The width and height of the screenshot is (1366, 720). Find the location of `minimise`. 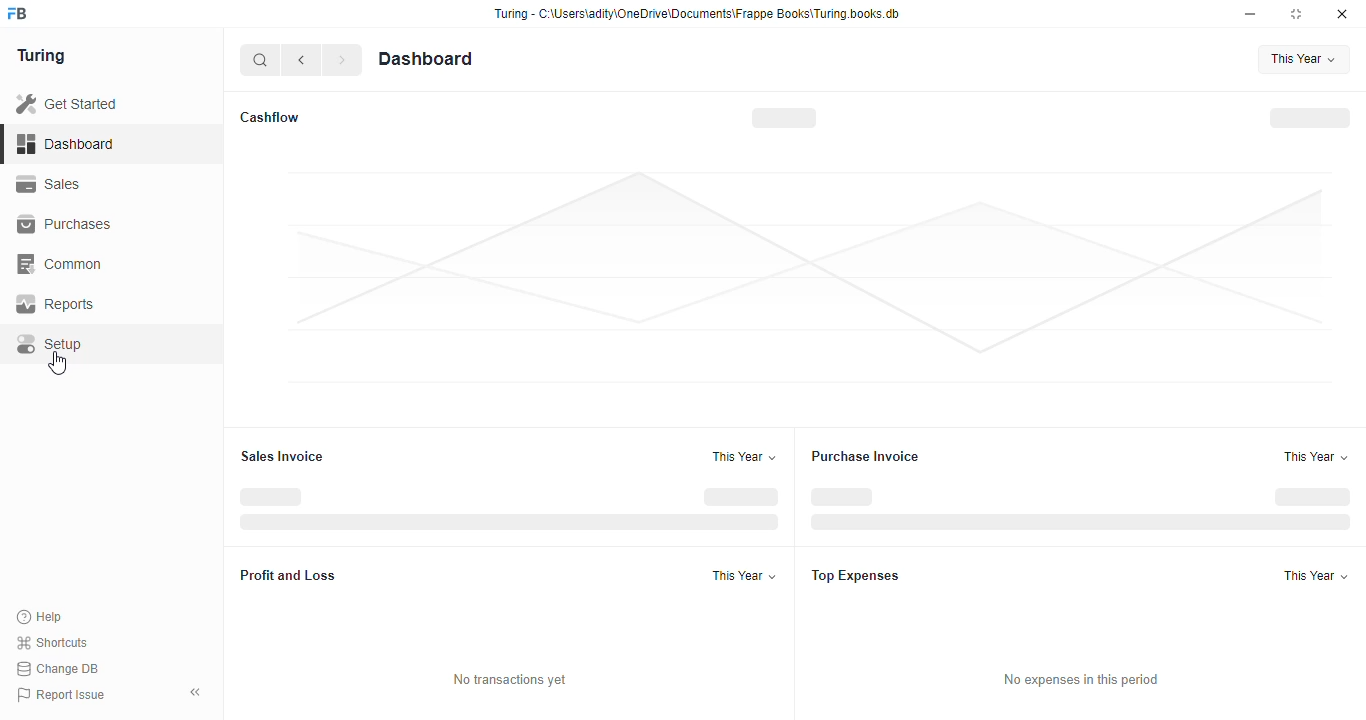

minimise is located at coordinates (1253, 13).